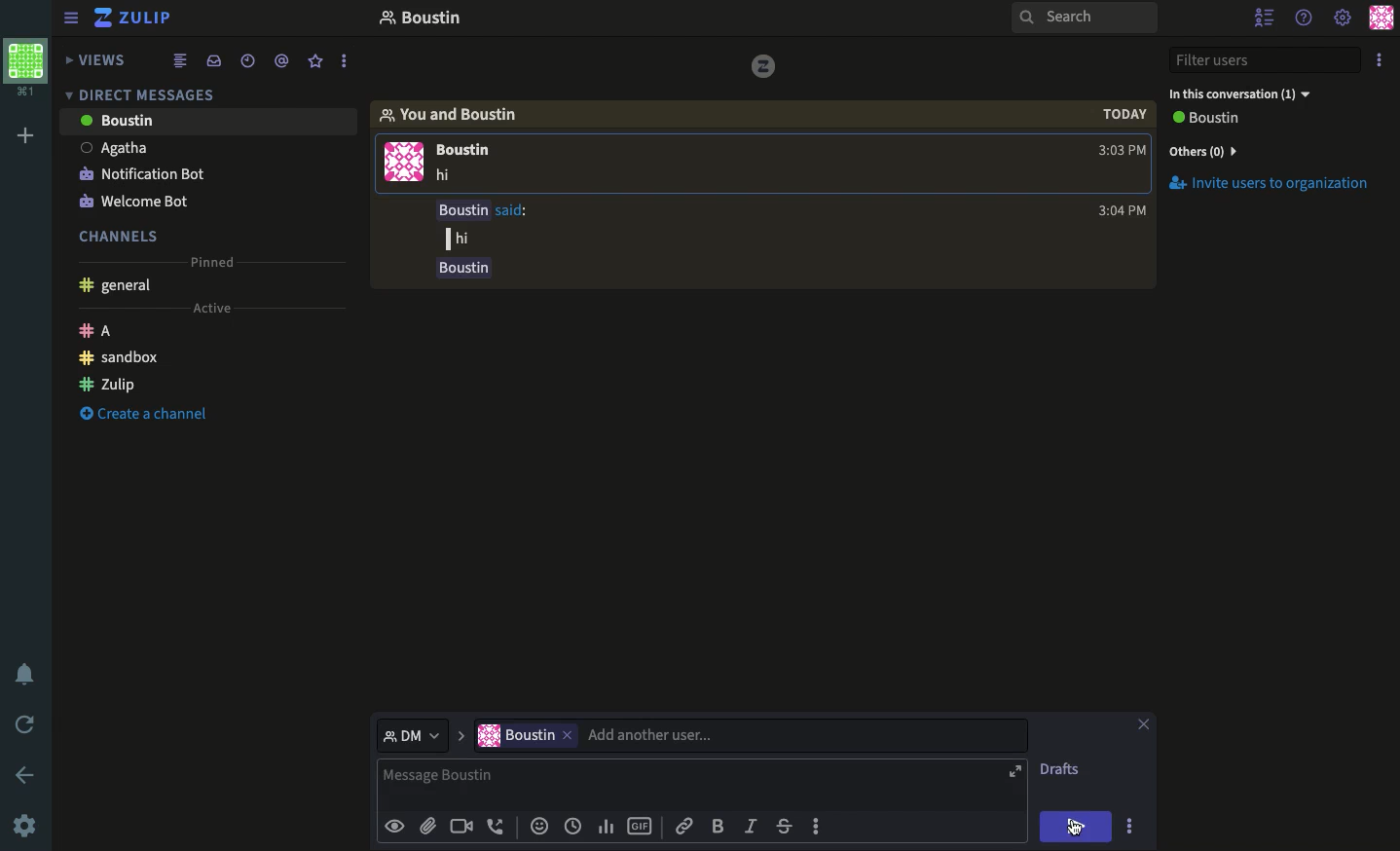 This screenshot has height=851, width=1400. I want to click on Zulip, so click(109, 383).